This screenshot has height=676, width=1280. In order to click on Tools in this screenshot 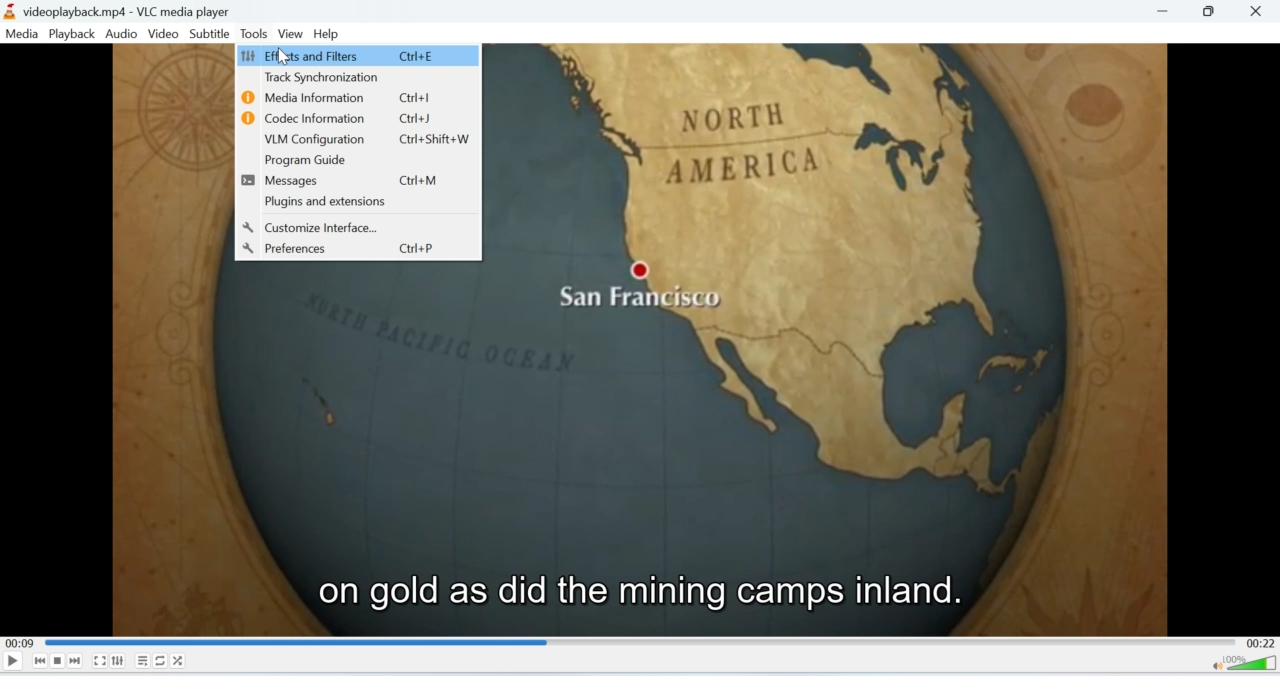, I will do `click(255, 34)`.